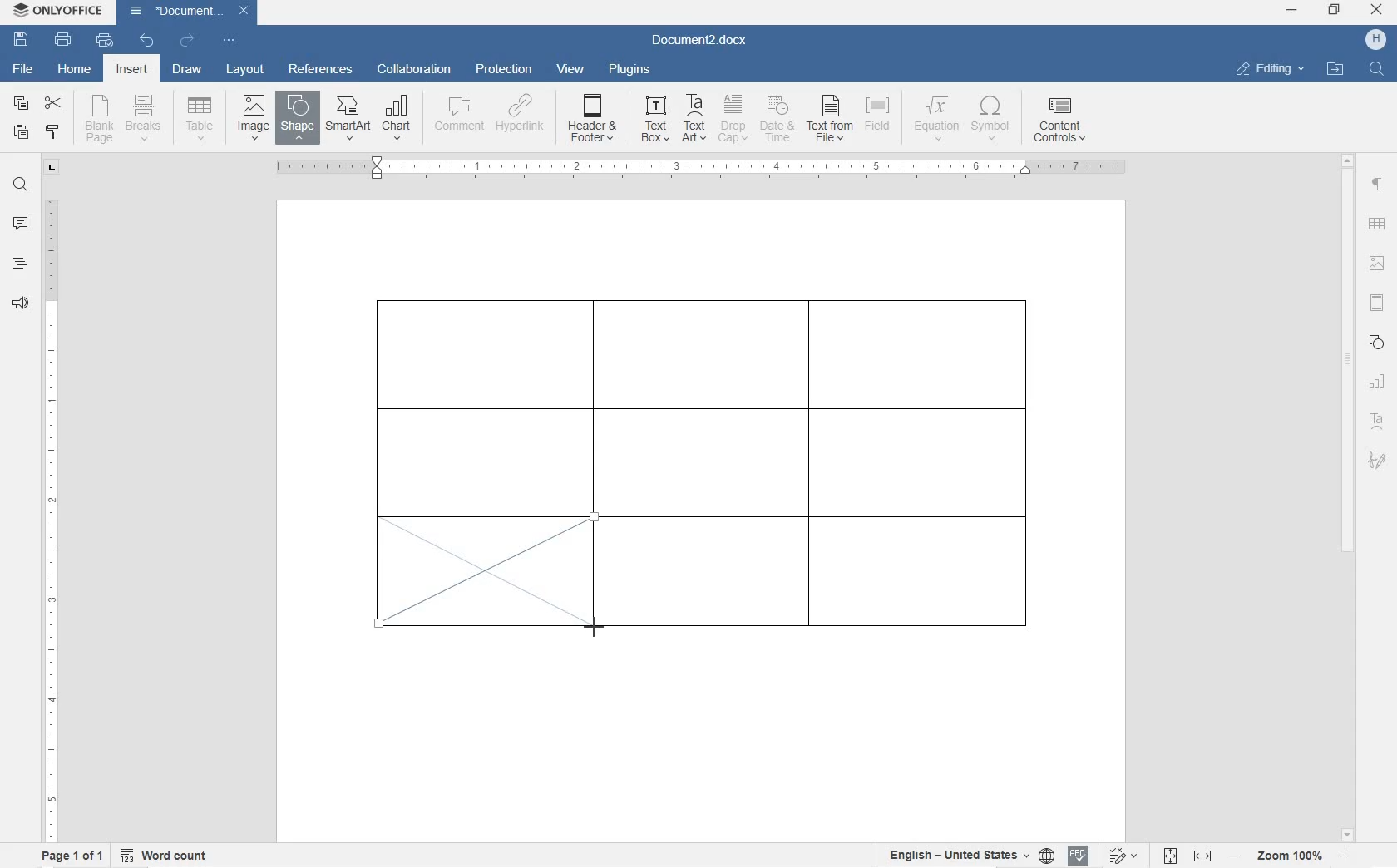  I want to click on zoom in or out, so click(1291, 856).